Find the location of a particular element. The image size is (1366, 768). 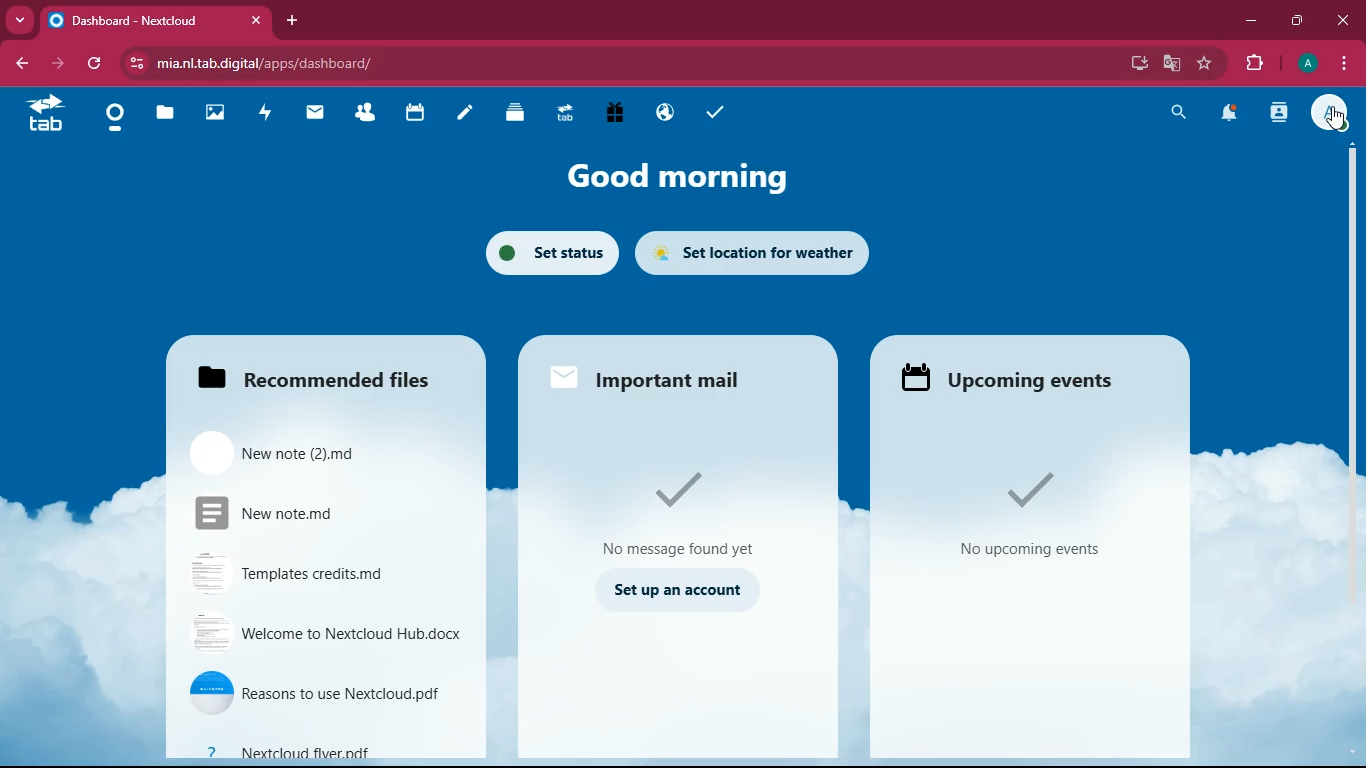

calendar is located at coordinates (417, 114).